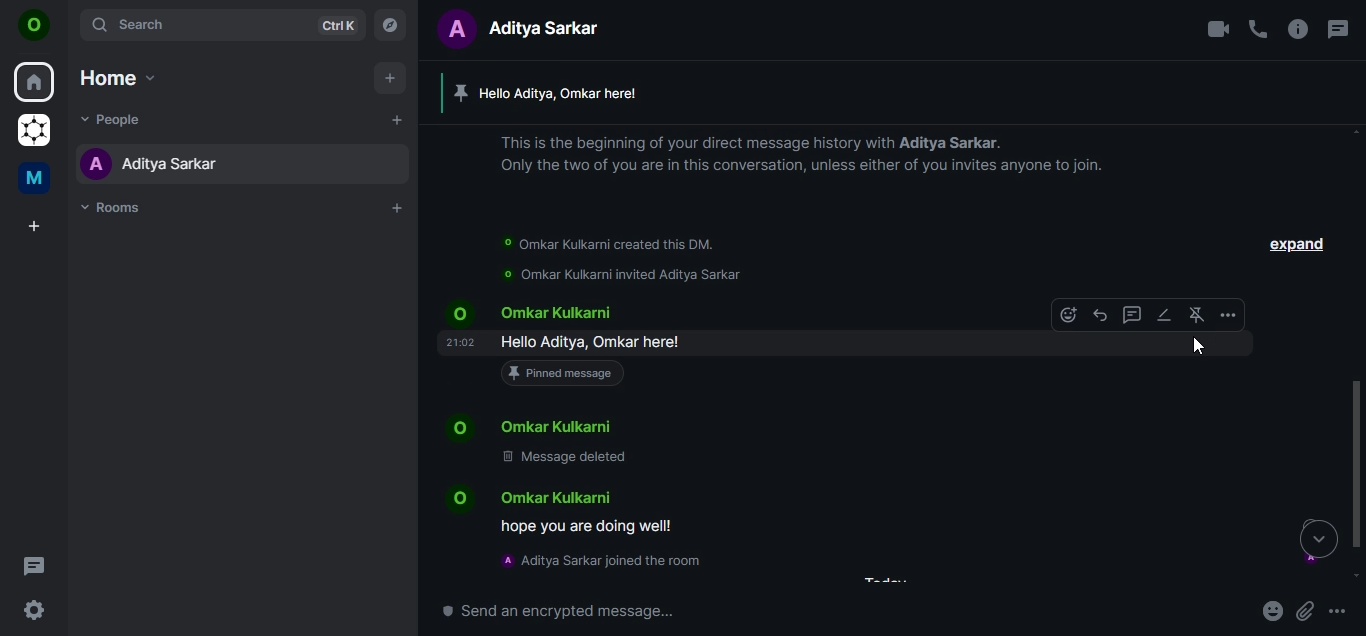  Describe the element at coordinates (35, 177) in the screenshot. I see `me` at that location.